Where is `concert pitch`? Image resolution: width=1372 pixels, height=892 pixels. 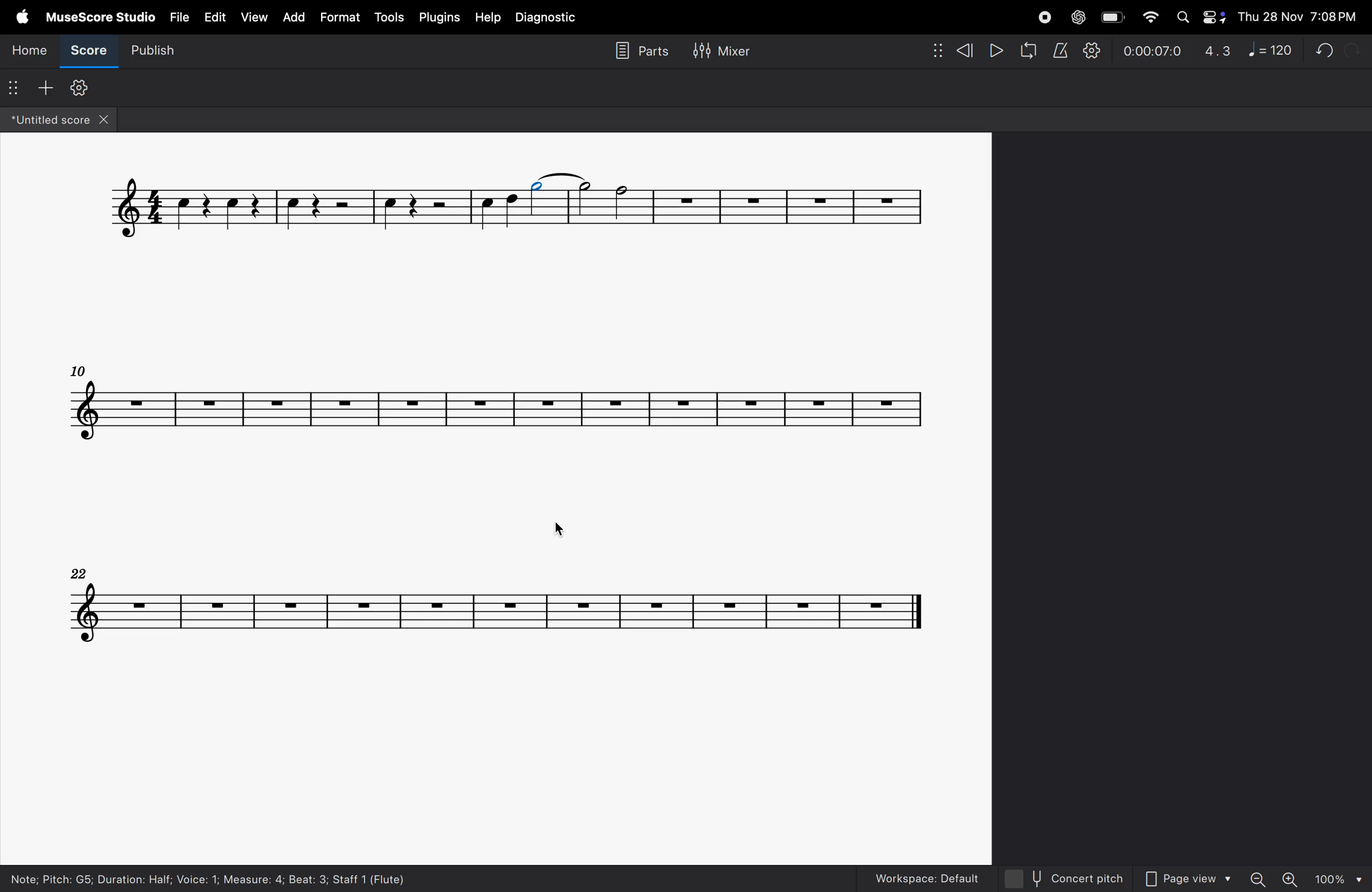 concert pitch is located at coordinates (1060, 876).